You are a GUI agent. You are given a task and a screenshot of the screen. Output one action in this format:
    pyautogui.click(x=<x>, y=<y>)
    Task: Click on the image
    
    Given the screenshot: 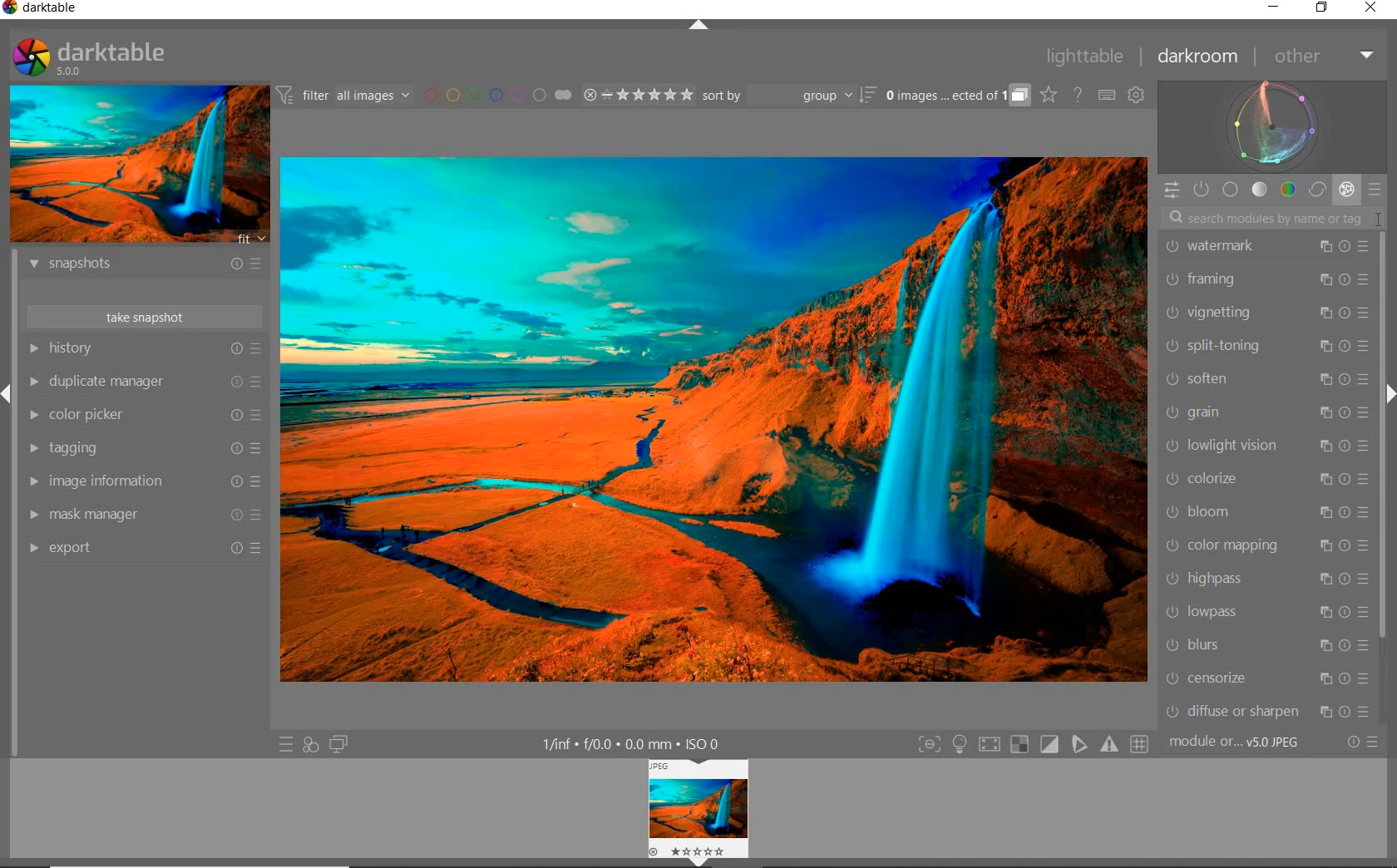 What is the action you would take?
    pyautogui.click(x=699, y=803)
    